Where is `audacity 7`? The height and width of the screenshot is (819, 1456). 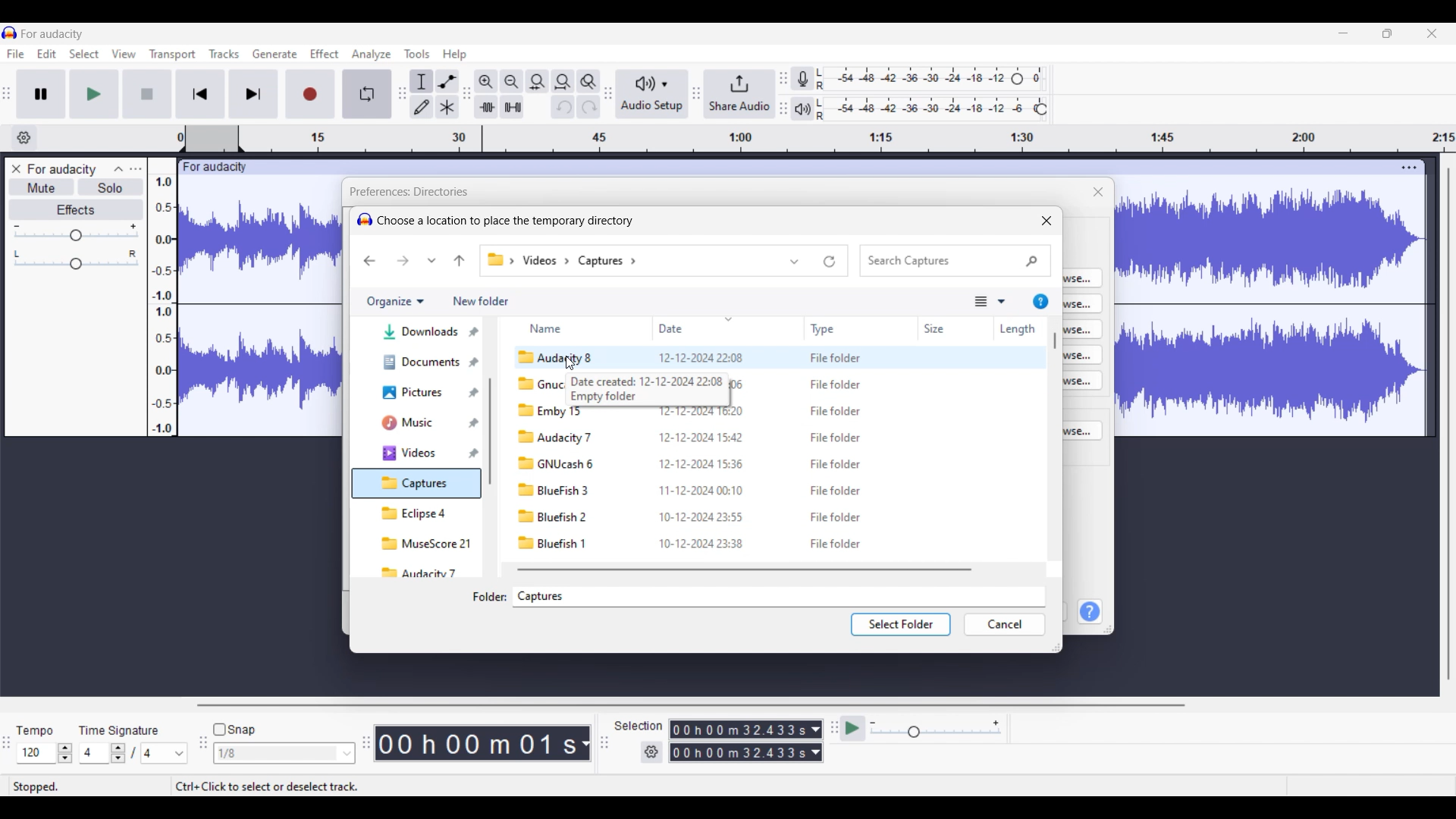 audacity 7 is located at coordinates (554, 437).